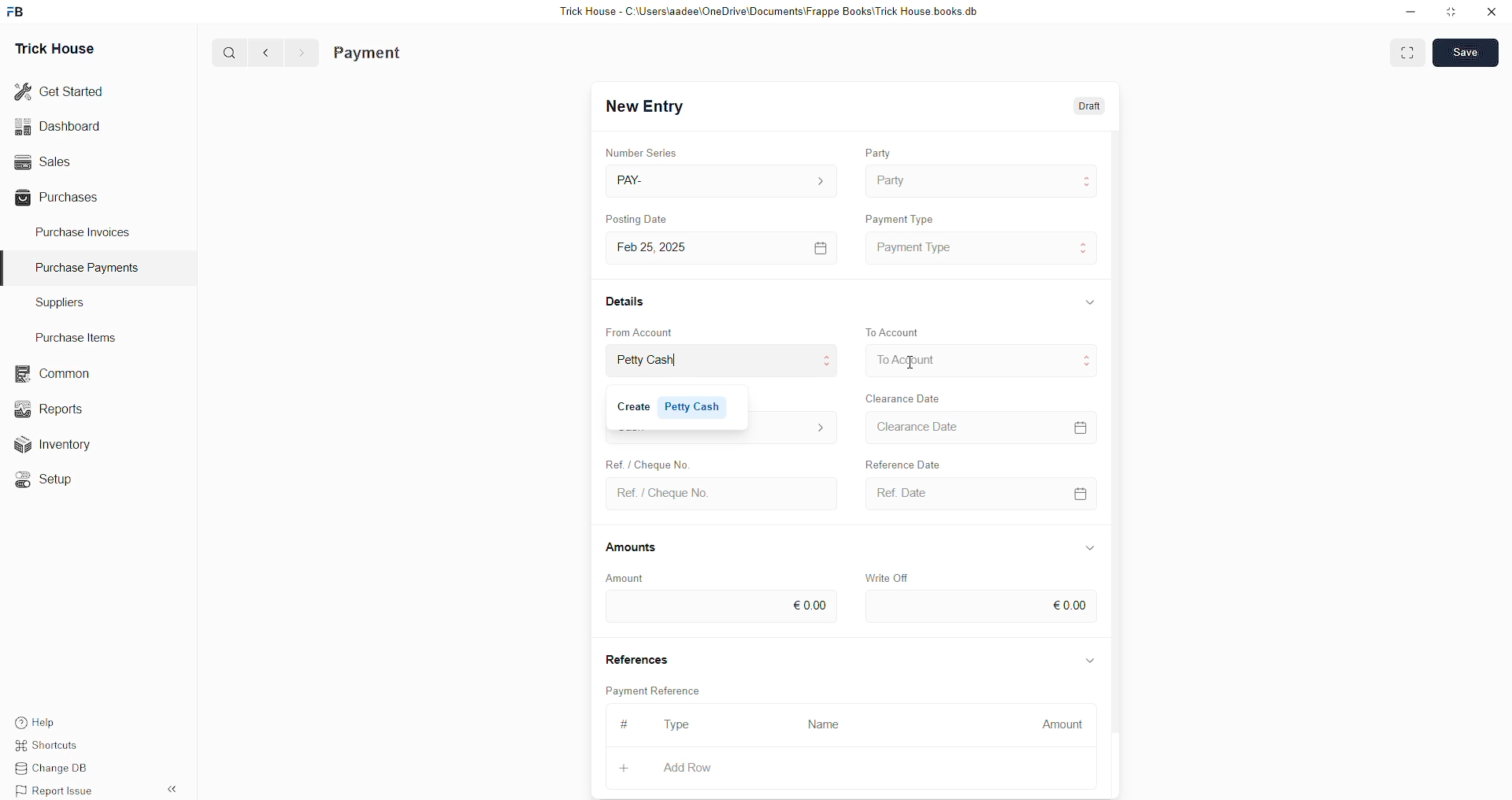 This screenshot has width=1512, height=800. What do you see at coordinates (626, 765) in the screenshot?
I see `+` at bounding box center [626, 765].